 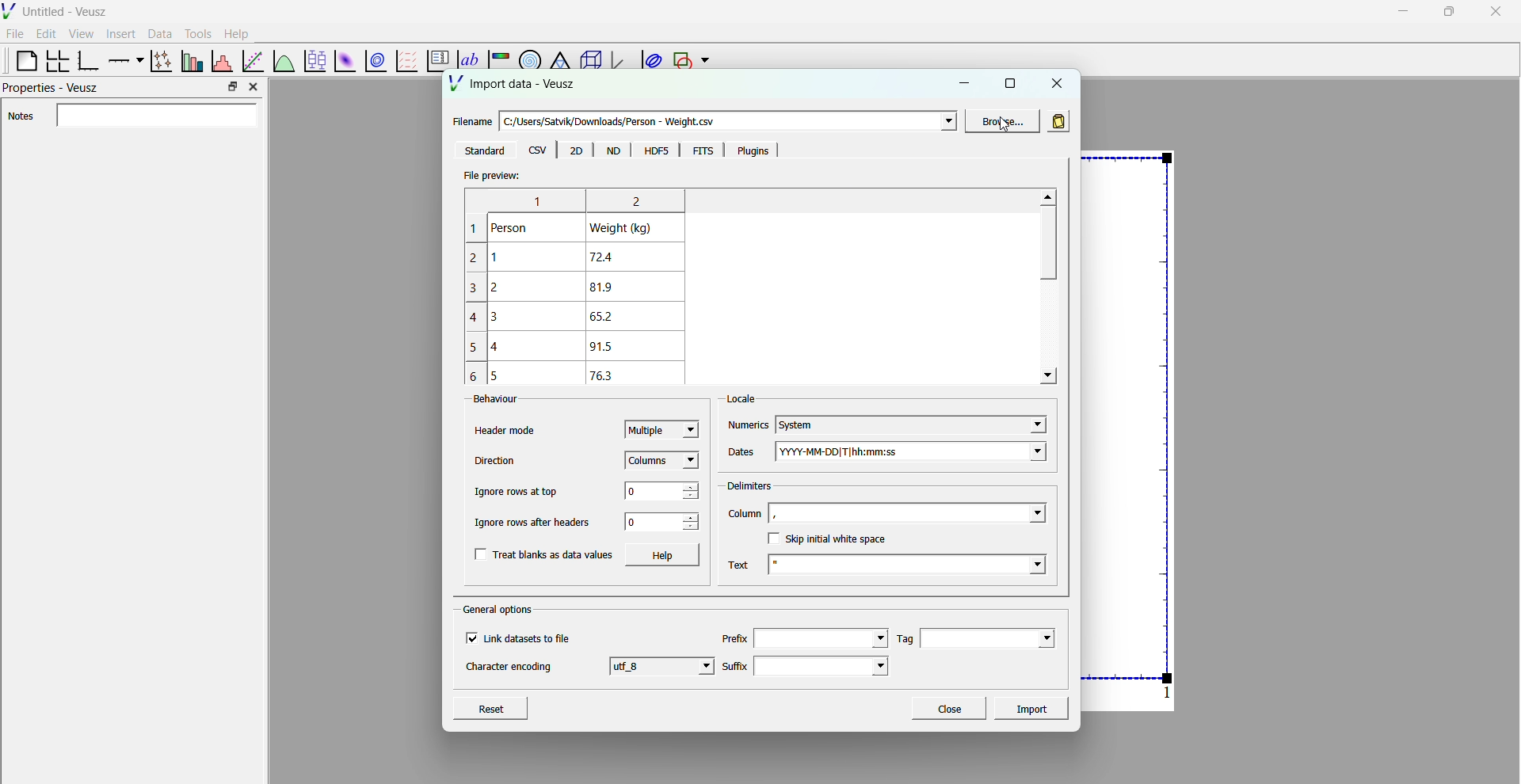 I want to click on Close, so click(x=948, y=708).